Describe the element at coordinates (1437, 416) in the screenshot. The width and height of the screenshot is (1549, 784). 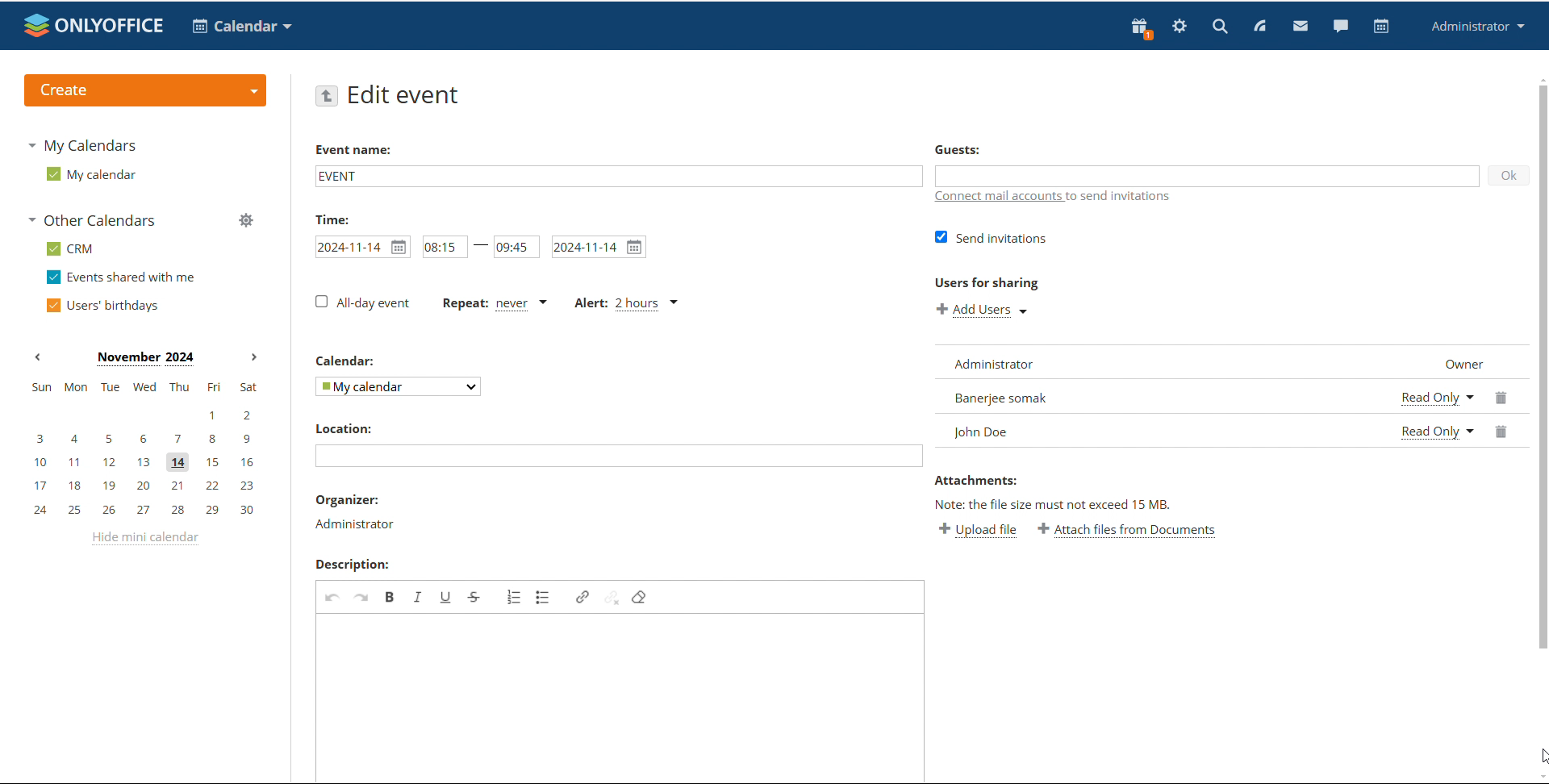
I see `access type` at that location.